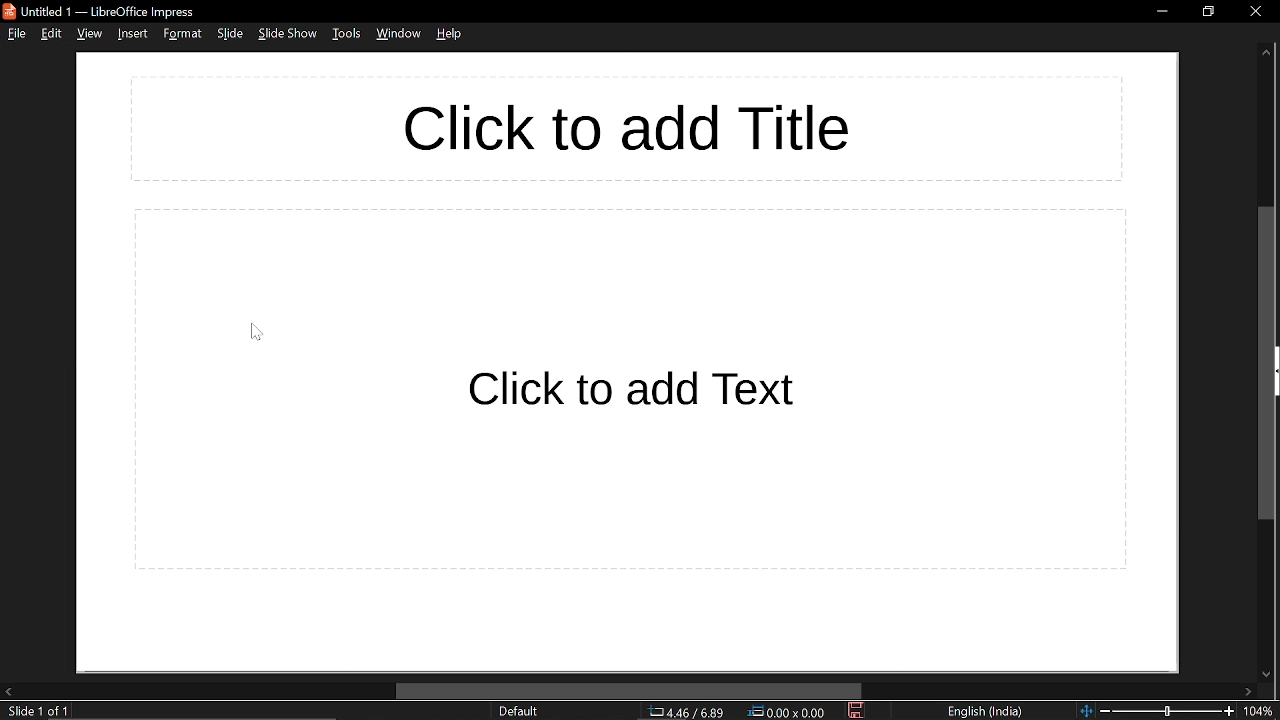 The height and width of the screenshot is (720, 1280). I want to click on help, so click(453, 33).